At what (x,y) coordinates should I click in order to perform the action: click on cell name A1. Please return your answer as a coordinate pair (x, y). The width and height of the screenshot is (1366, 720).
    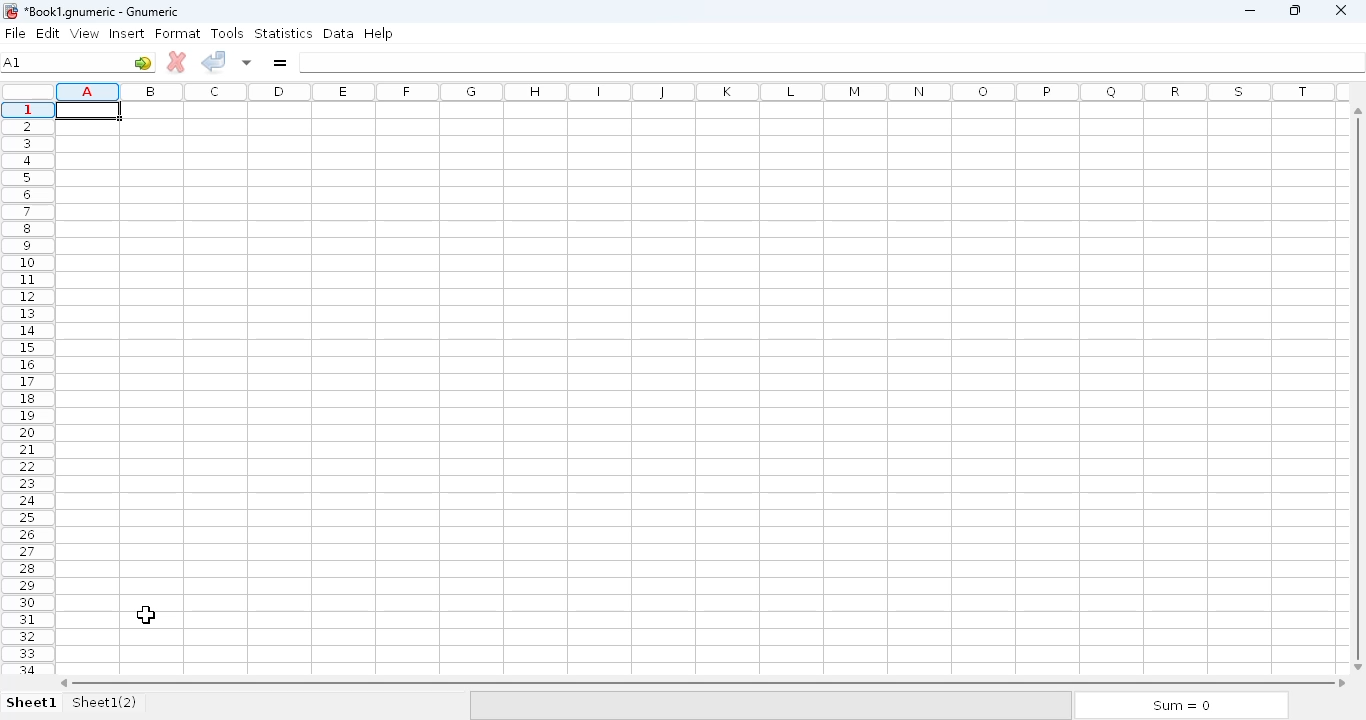
    Looking at the image, I should click on (14, 62).